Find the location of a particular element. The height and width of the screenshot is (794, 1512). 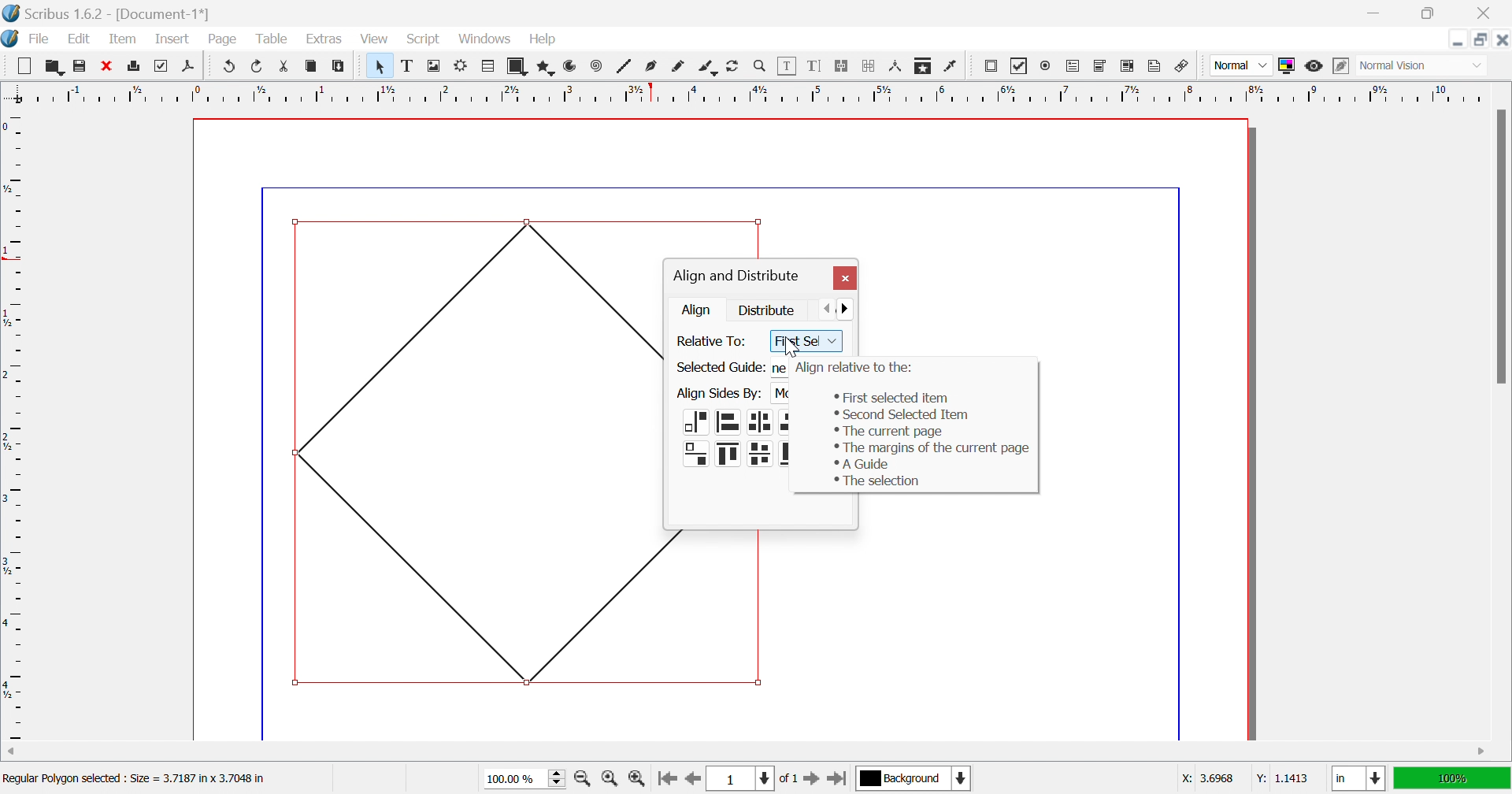

Scribus icon is located at coordinates (9, 39).